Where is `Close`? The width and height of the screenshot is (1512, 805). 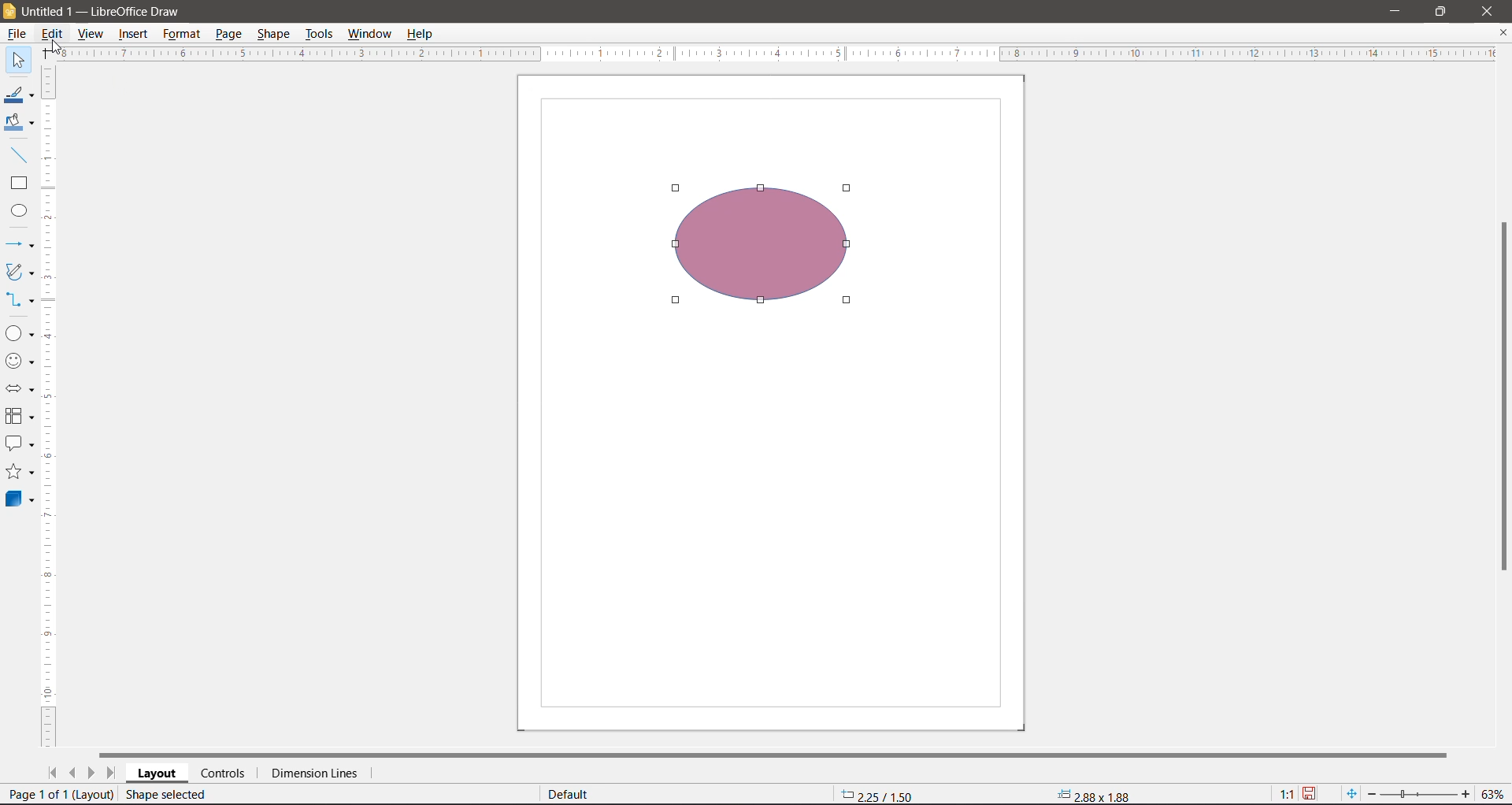
Close is located at coordinates (1487, 11).